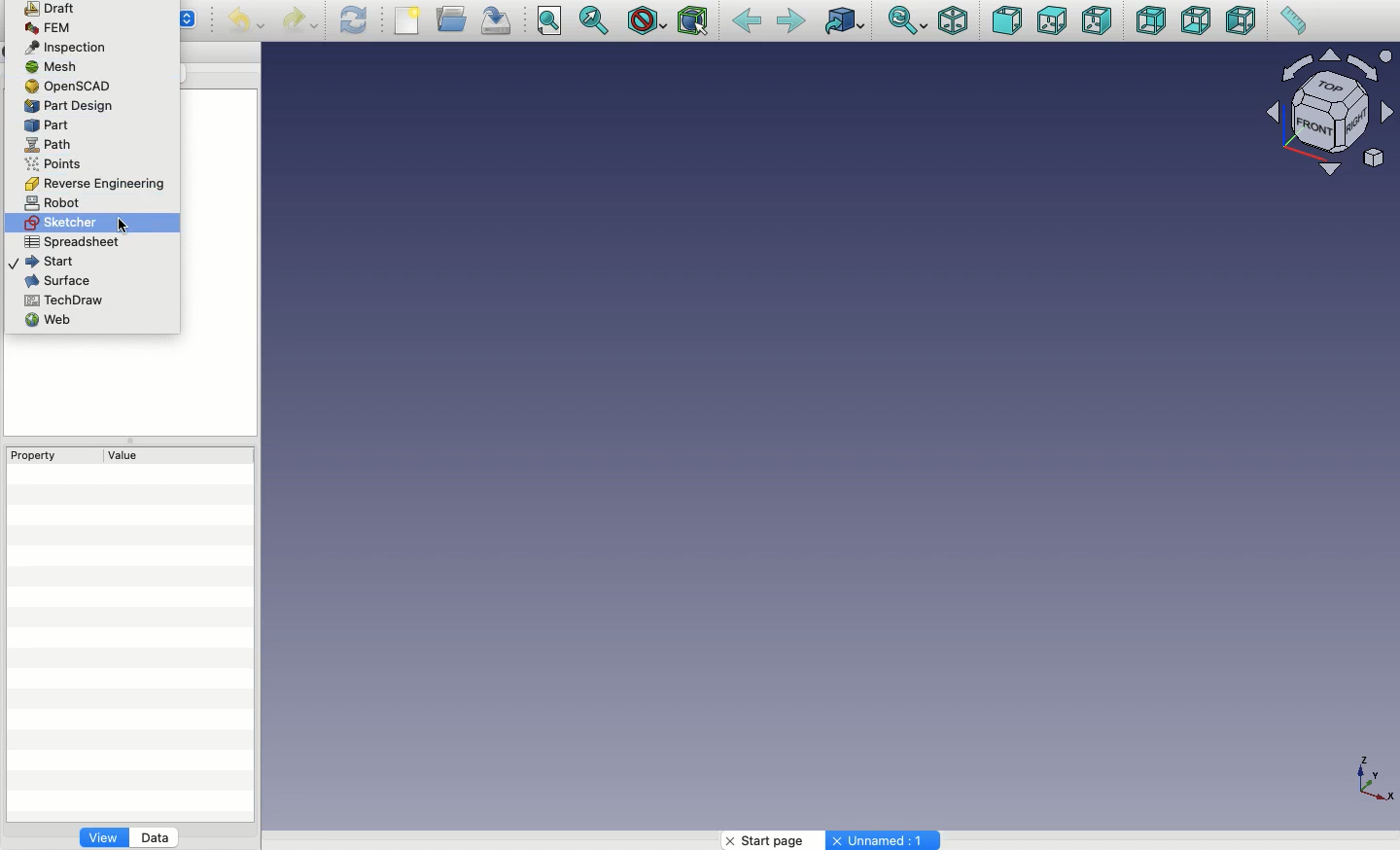  Describe the element at coordinates (907, 20) in the screenshot. I see `Sync view` at that location.